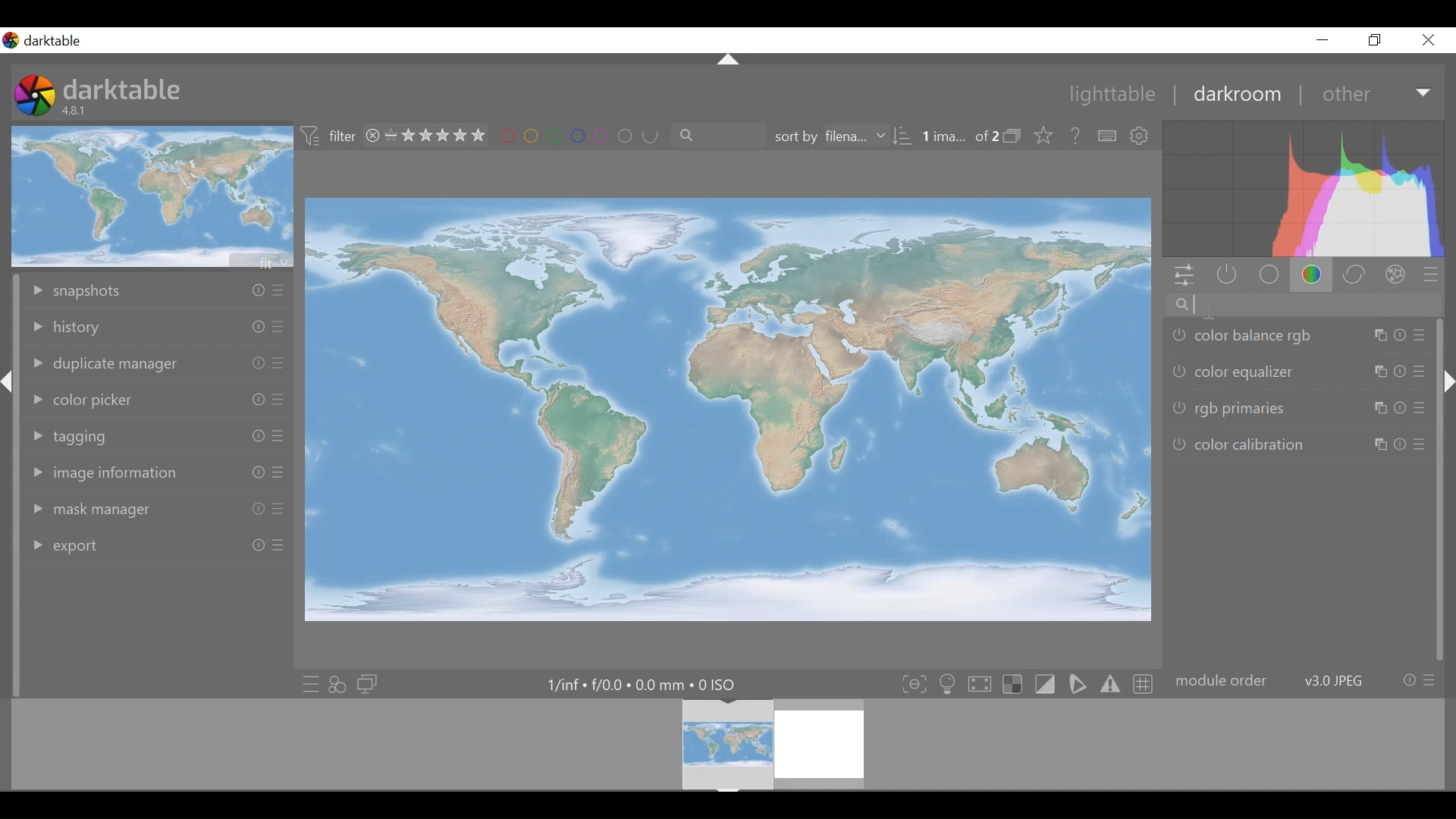  Describe the element at coordinates (77, 111) in the screenshot. I see `4.8.1` at that location.